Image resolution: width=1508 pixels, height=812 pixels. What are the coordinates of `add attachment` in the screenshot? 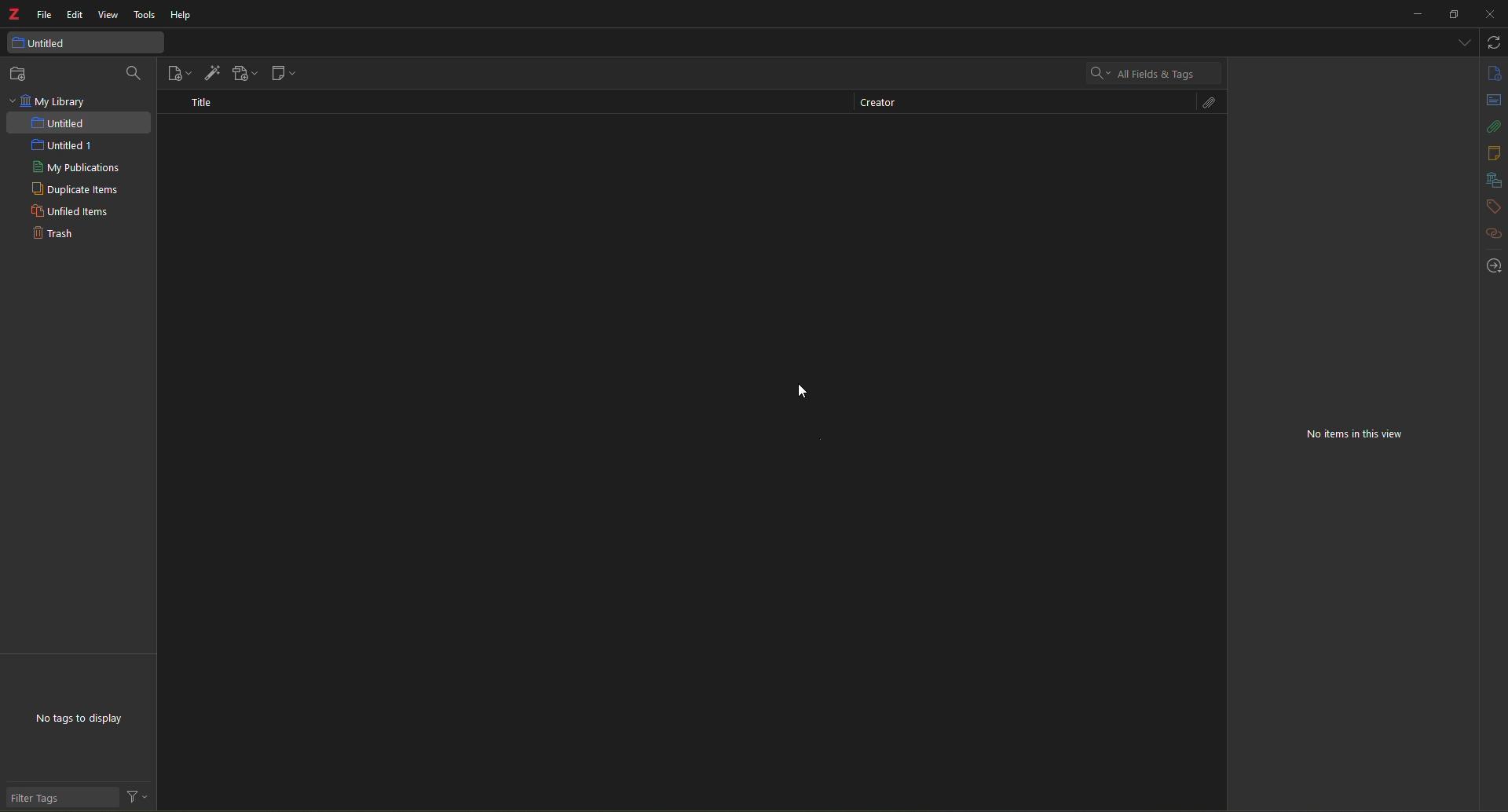 It's located at (244, 73).